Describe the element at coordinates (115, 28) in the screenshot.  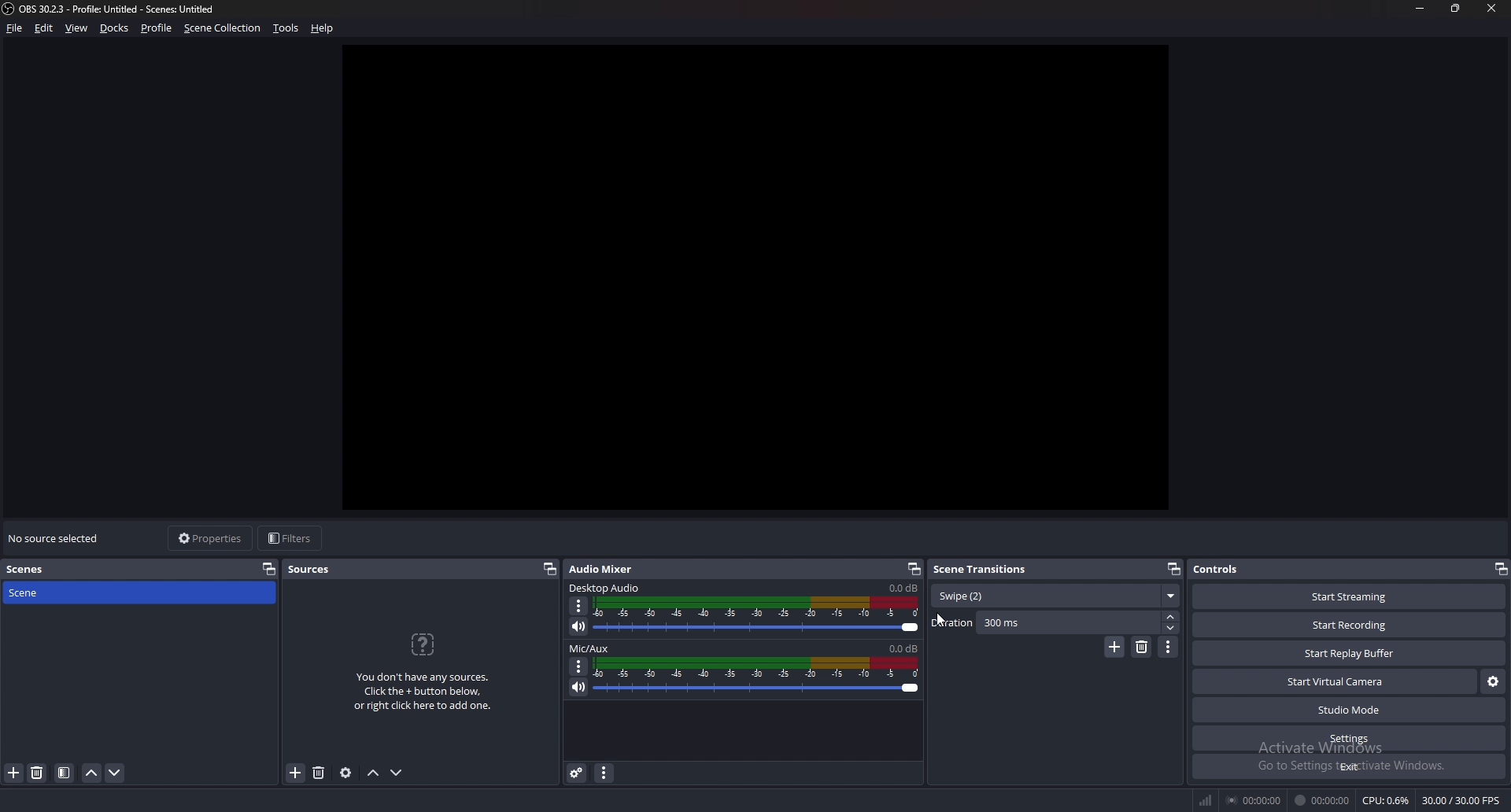
I see `docks` at that location.